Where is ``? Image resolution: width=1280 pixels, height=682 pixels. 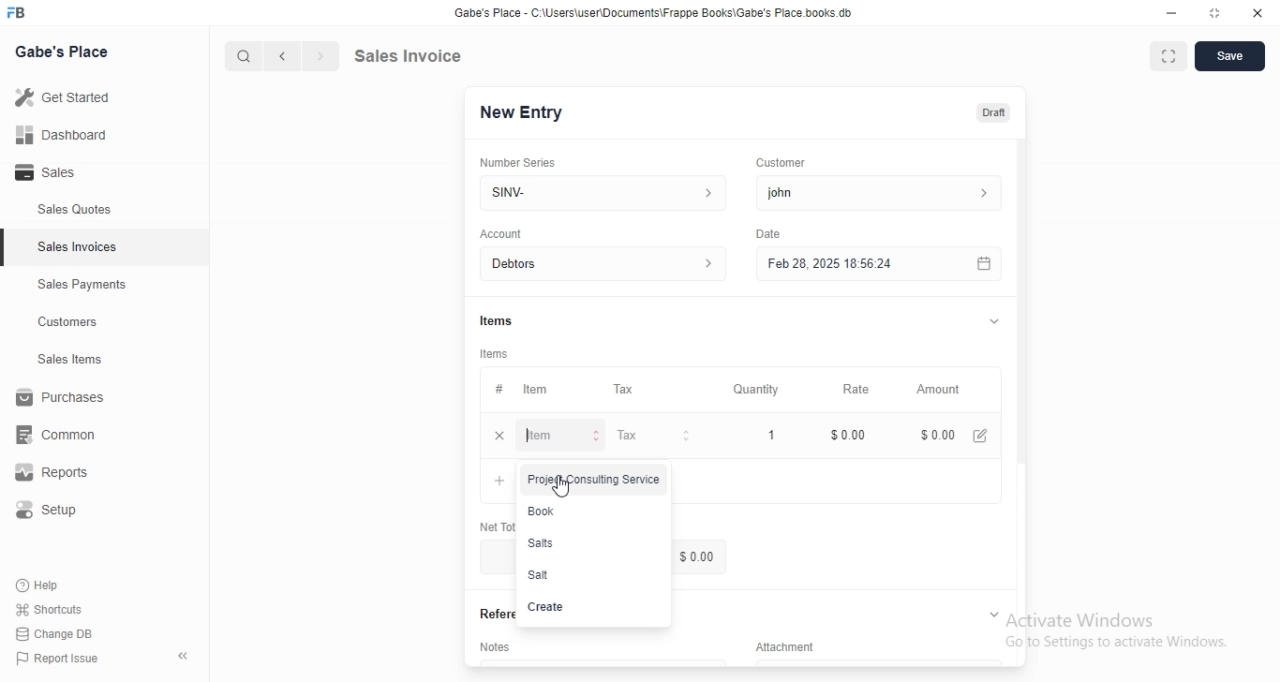
 is located at coordinates (498, 389).